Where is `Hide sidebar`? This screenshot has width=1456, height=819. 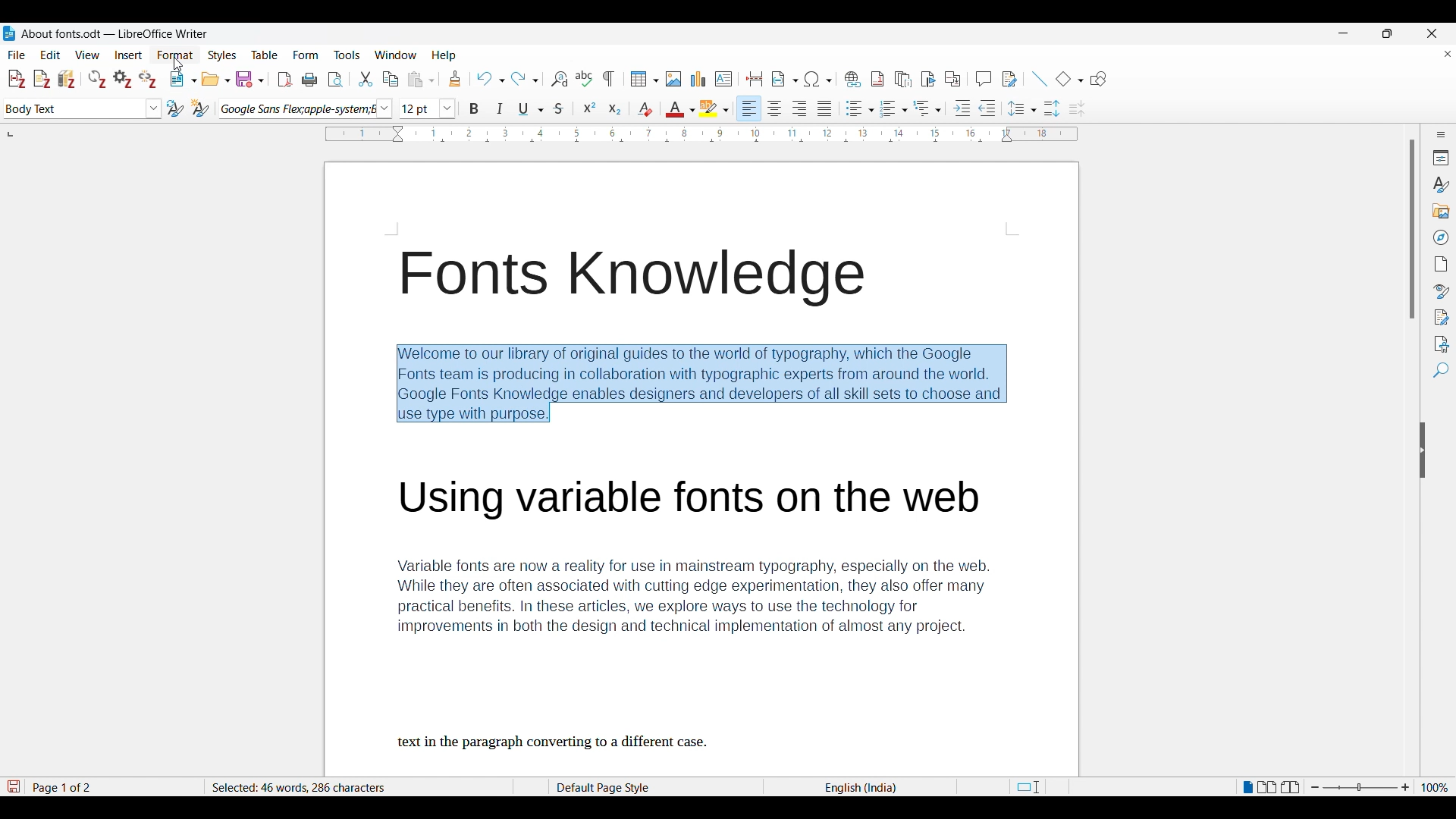 Hide sidebar is located at coordinates (1423, 450).